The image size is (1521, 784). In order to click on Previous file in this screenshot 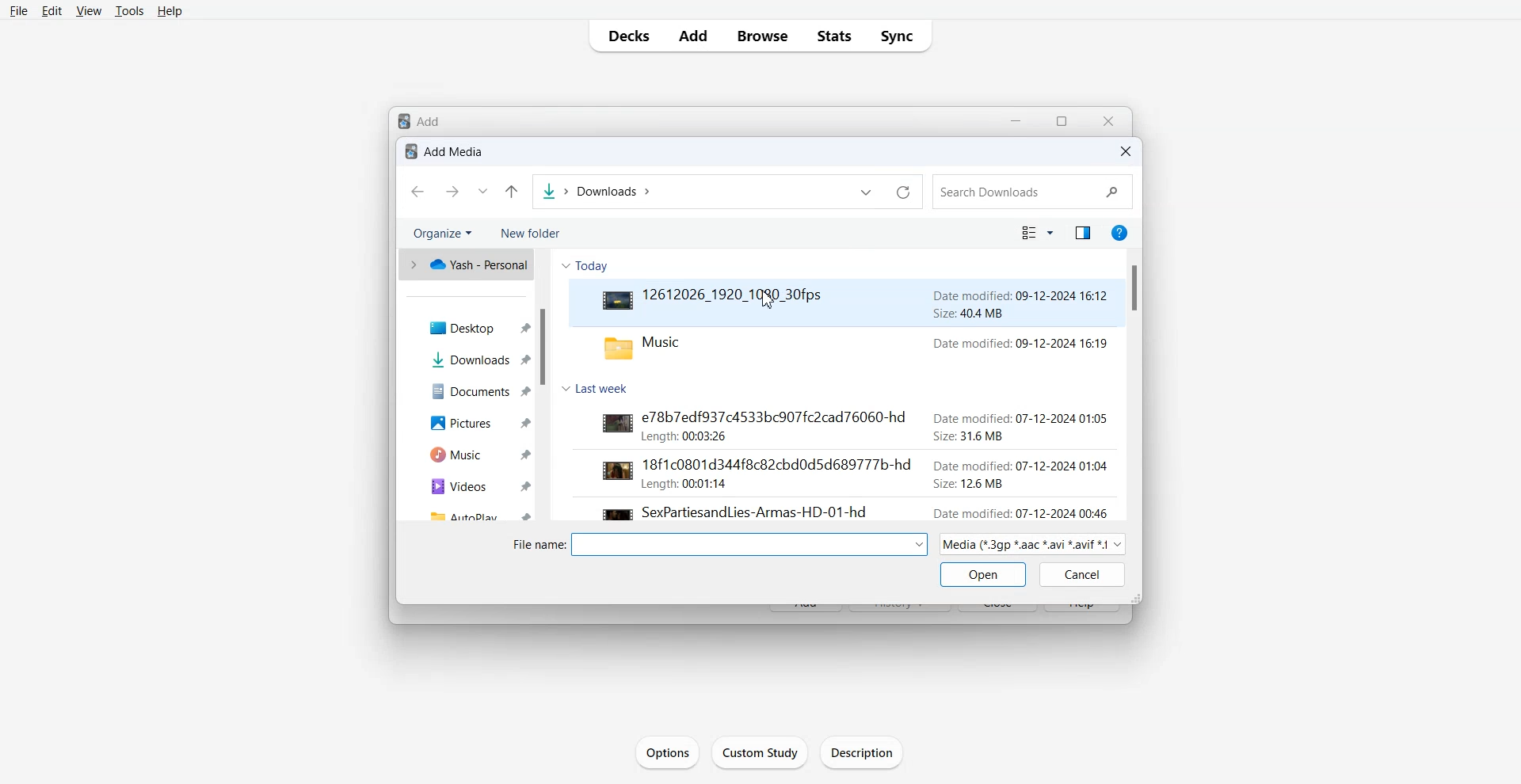, I will do `click(867, 191)`.